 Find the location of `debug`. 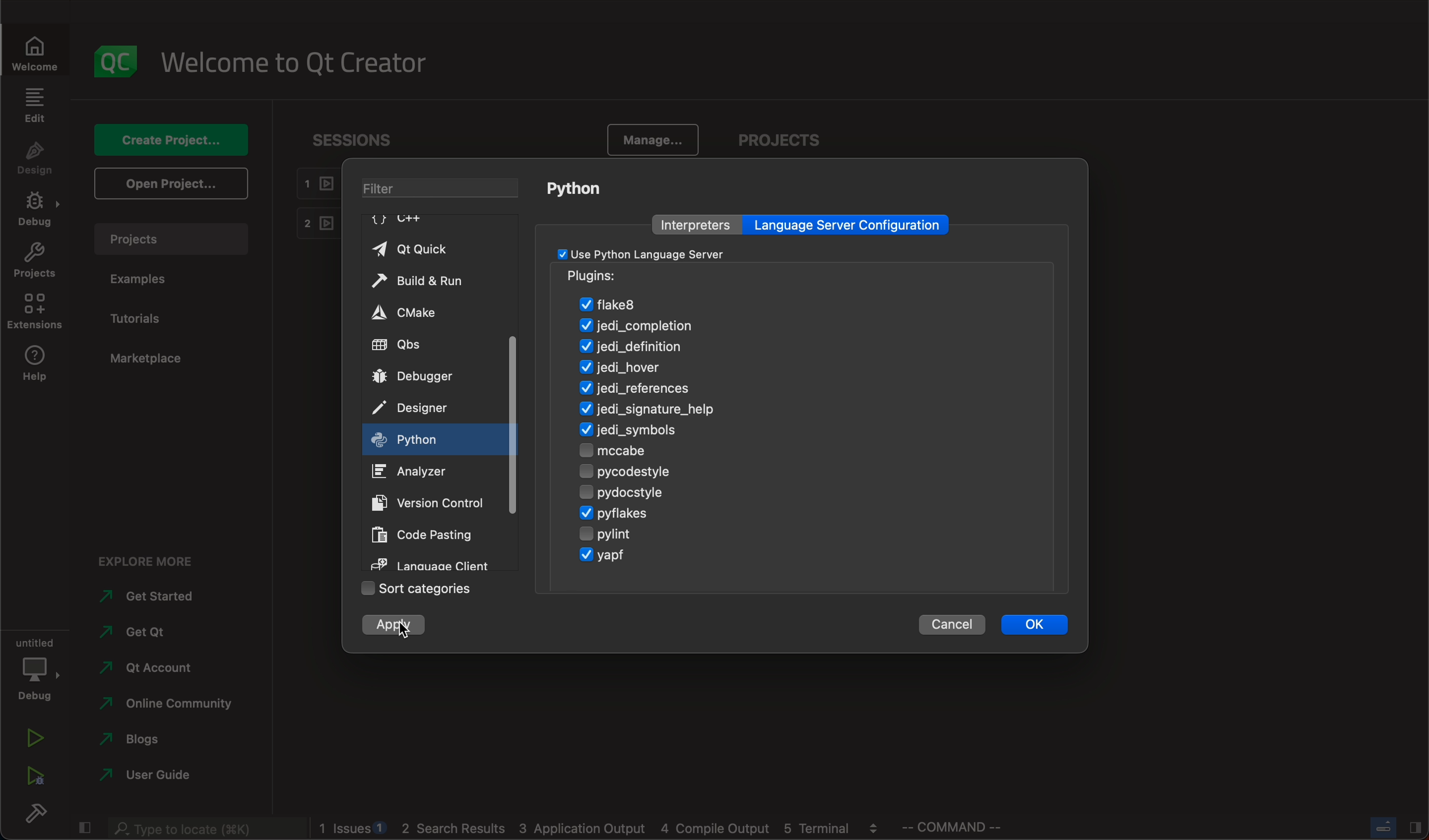

debug is located at coordinates (36, 210).